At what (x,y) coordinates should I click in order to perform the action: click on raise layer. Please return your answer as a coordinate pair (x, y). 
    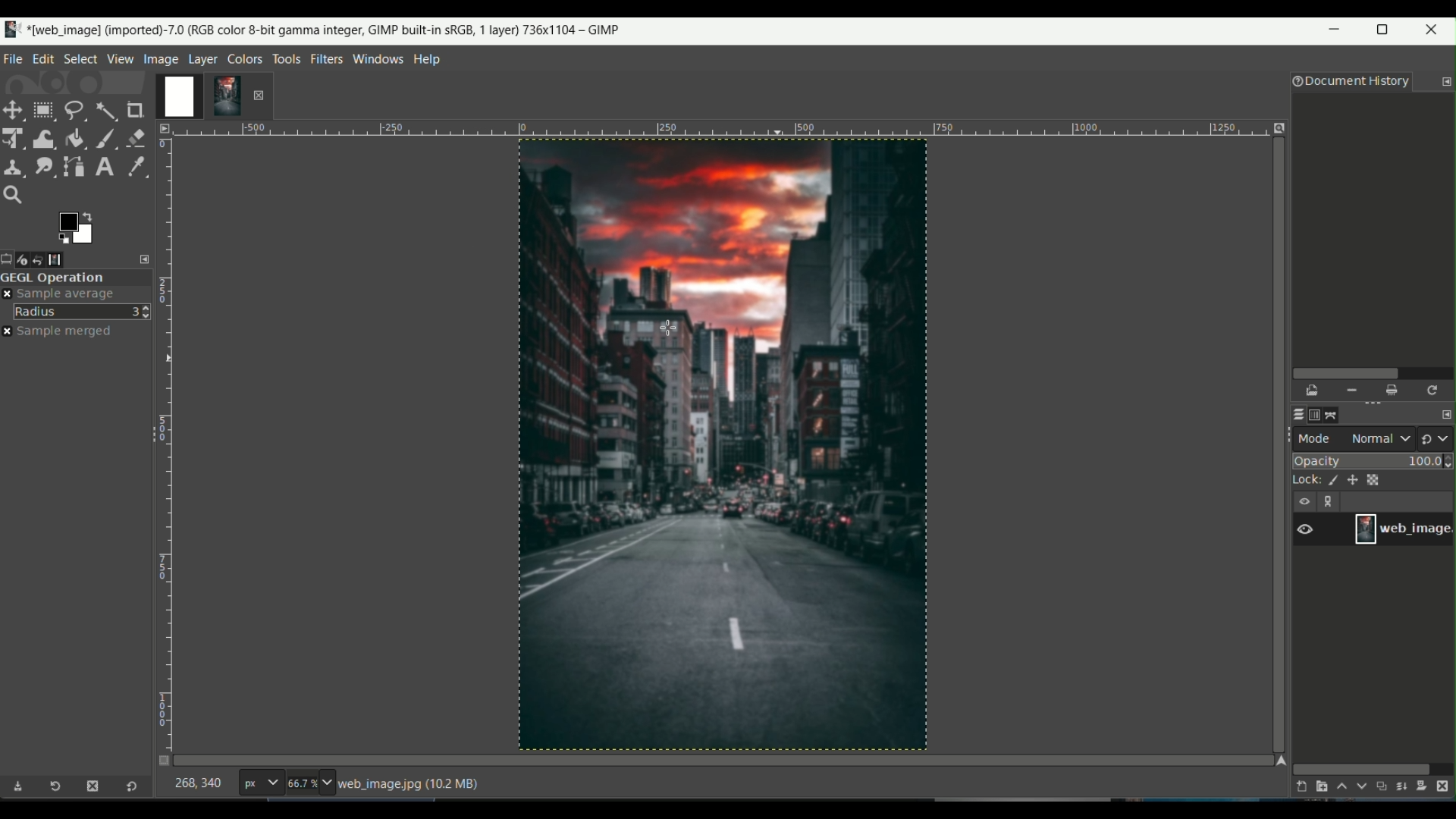
    Looking at the image, I should click on (1340, 789).